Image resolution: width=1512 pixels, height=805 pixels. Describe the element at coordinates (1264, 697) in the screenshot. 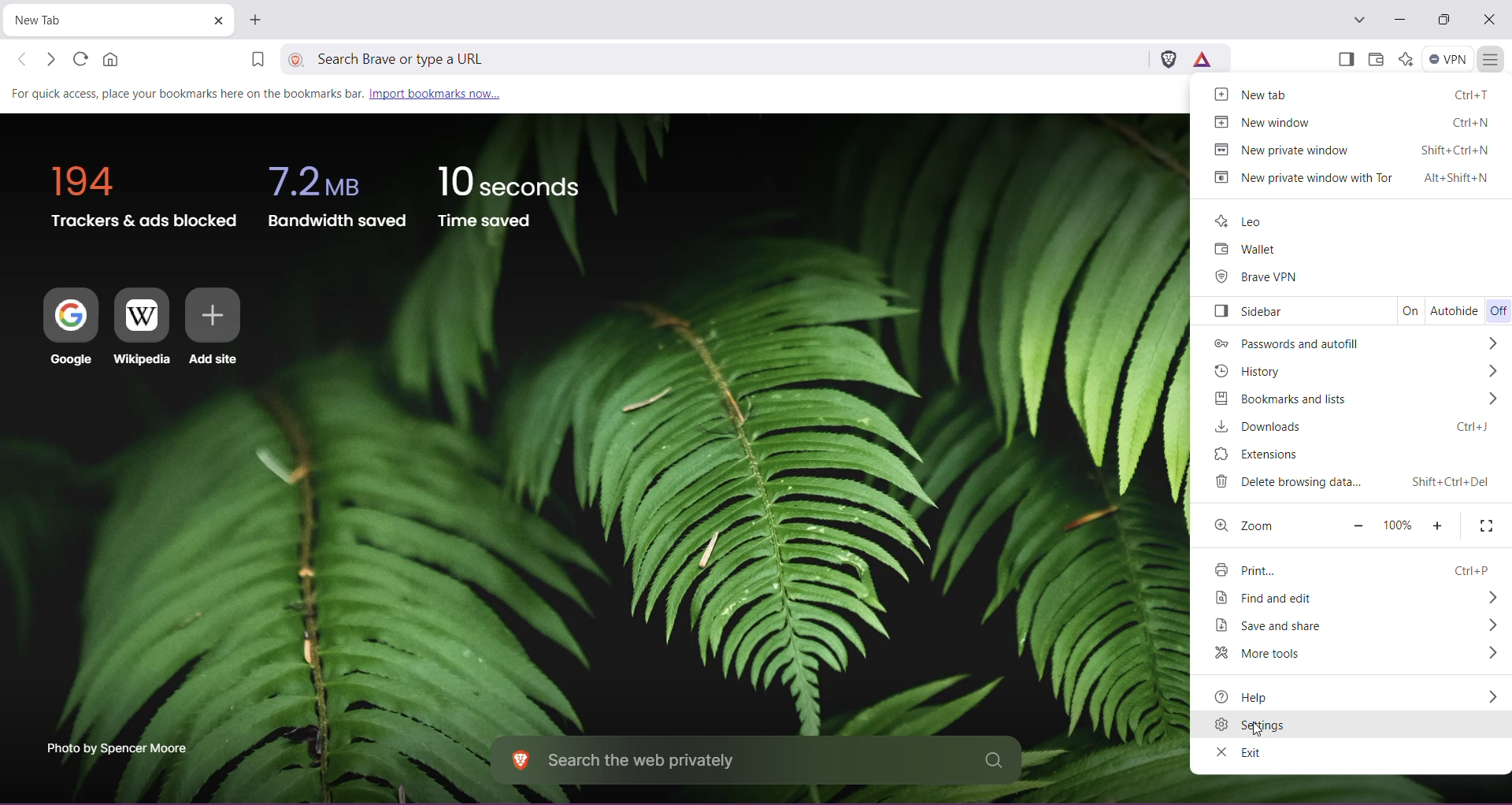

I see `Help` at that location.